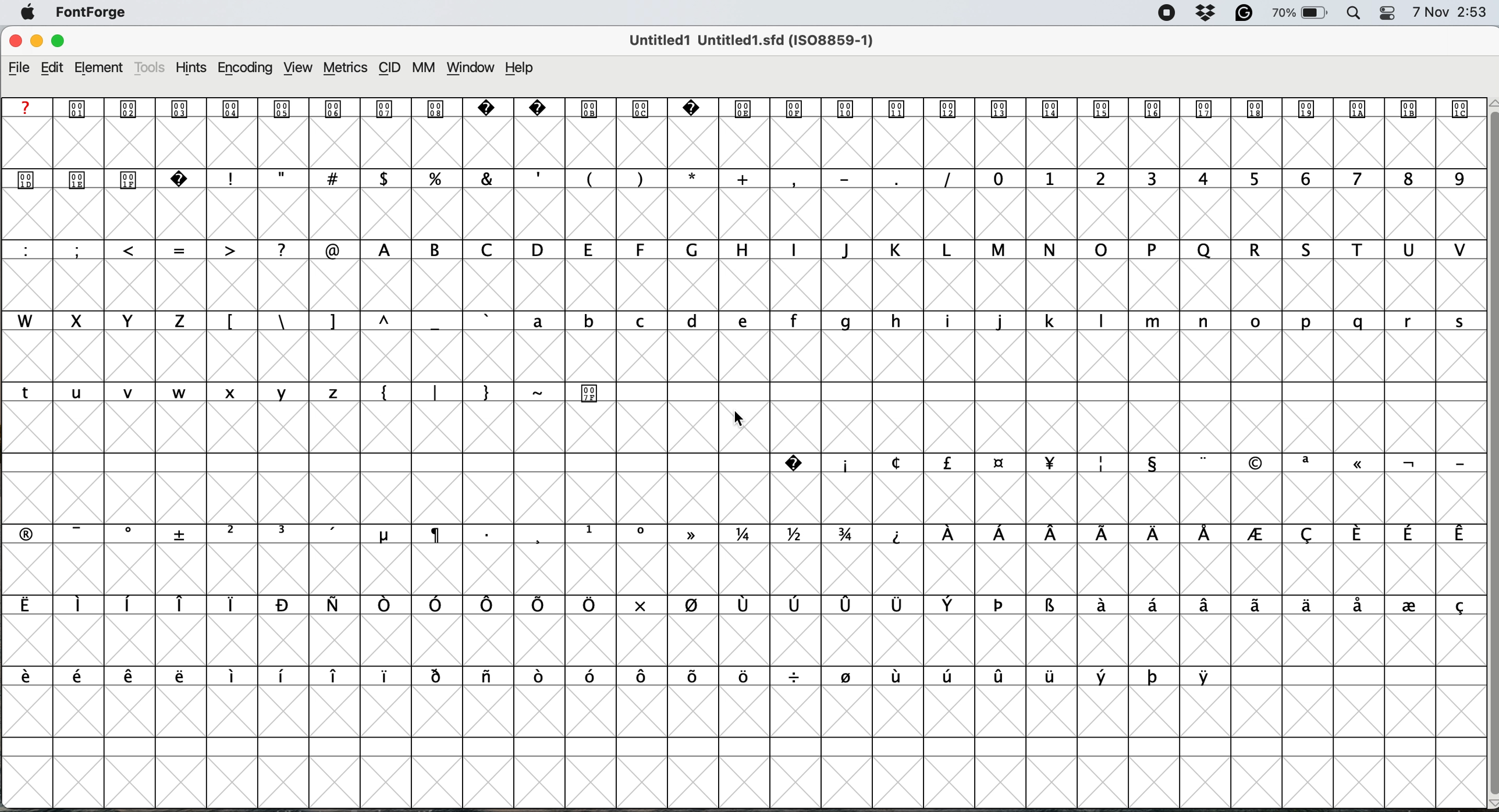 The image size is (1499, 812). What do you see at coordinates (244, 69) in the screenshot?
I see `encoding` at bounding box center [244, 69].